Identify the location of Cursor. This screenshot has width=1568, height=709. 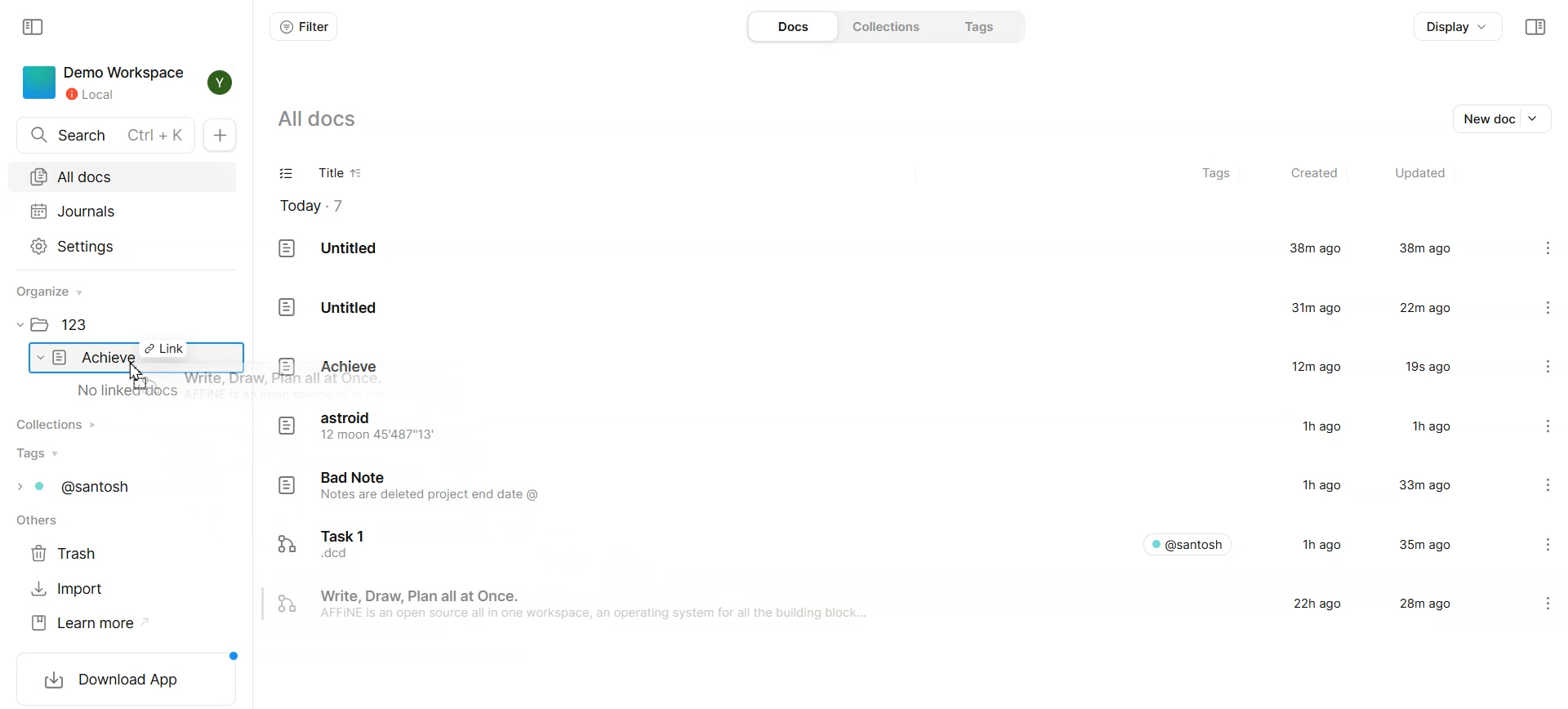
(137, 376).